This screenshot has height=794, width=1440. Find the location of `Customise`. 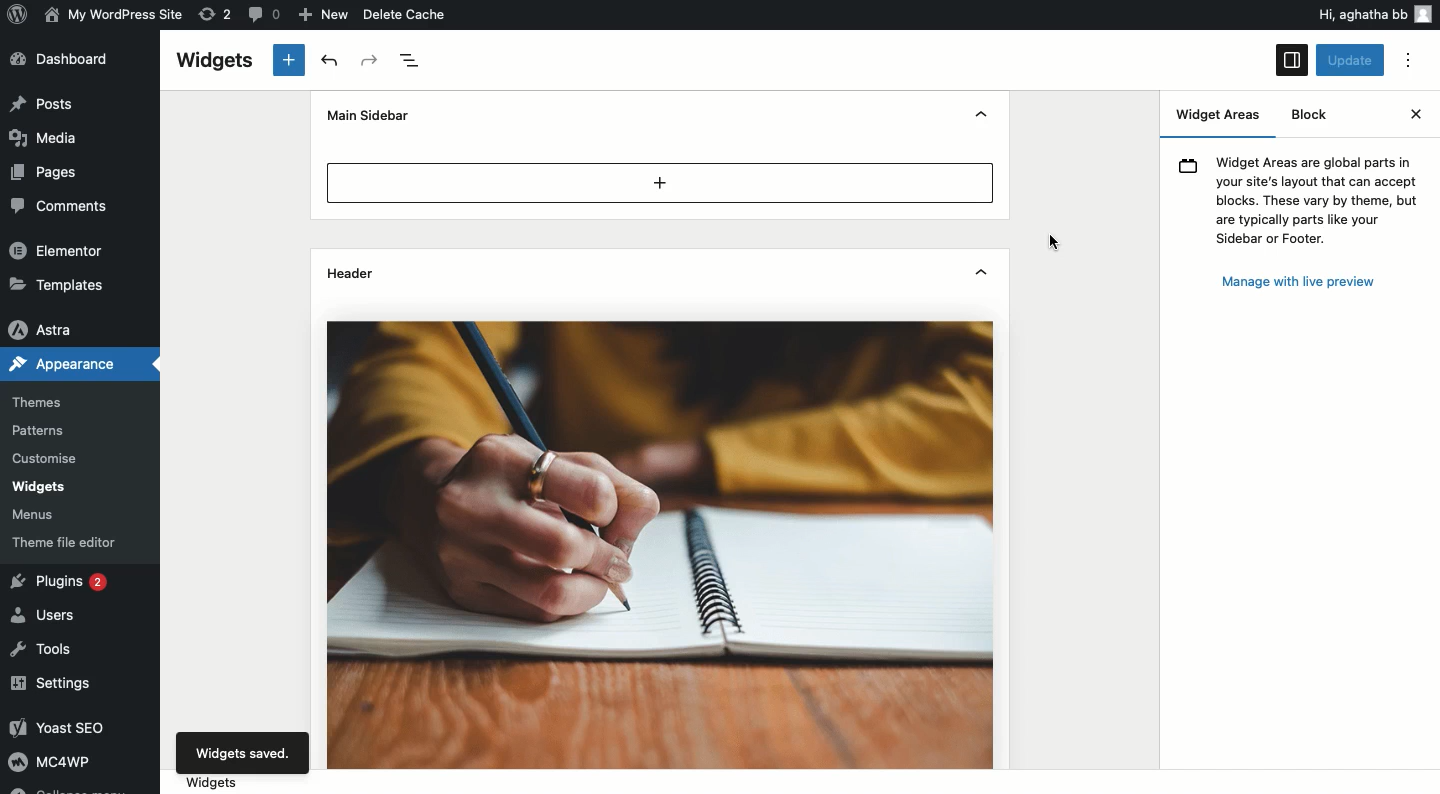

Customise is located at coordinates (42, 461).